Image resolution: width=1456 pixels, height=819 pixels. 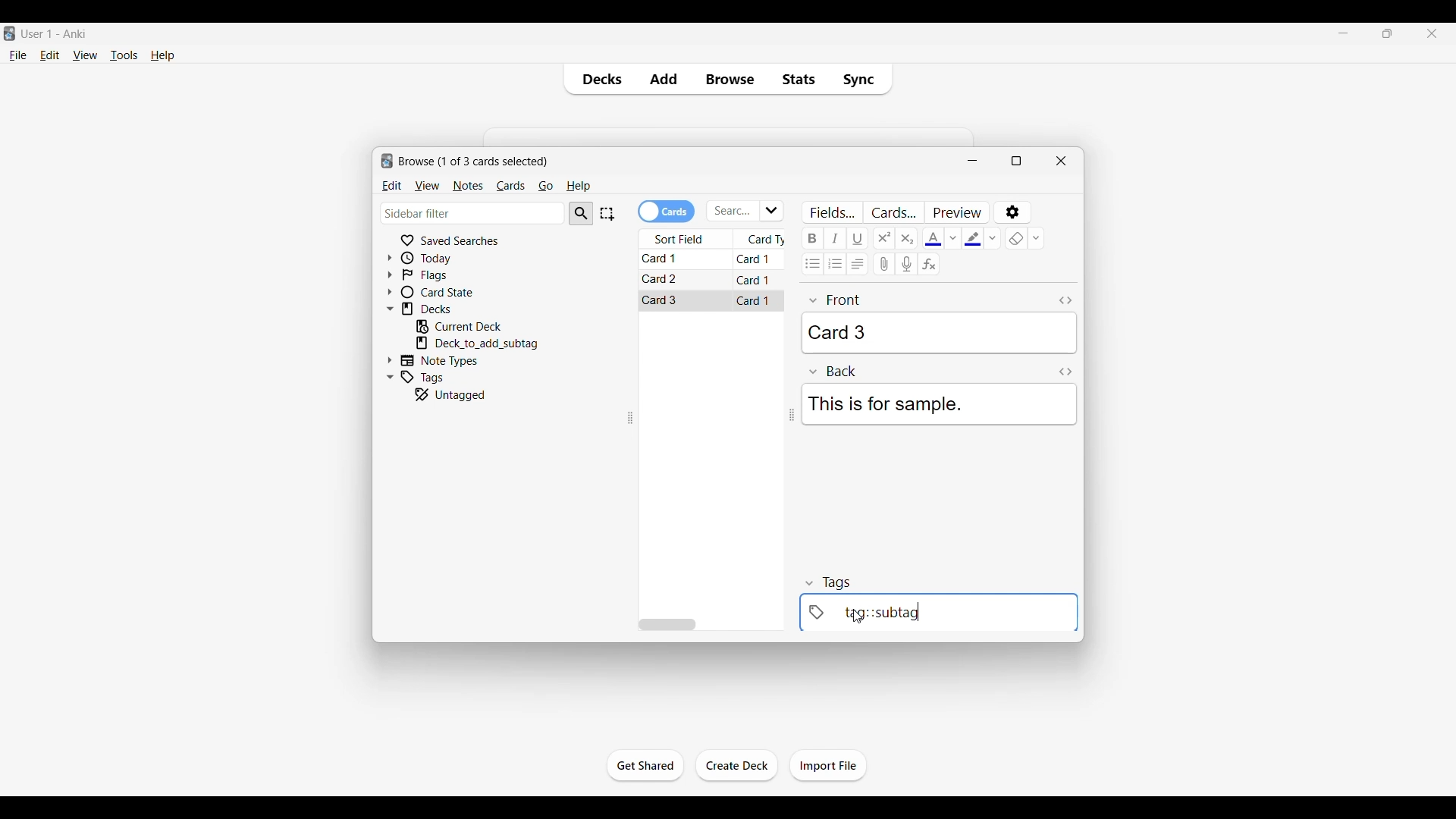 What do you see at coordinates (447, 360) in the screenshot?
I see `Click to go to Note types` at bounding box center [447, 360].